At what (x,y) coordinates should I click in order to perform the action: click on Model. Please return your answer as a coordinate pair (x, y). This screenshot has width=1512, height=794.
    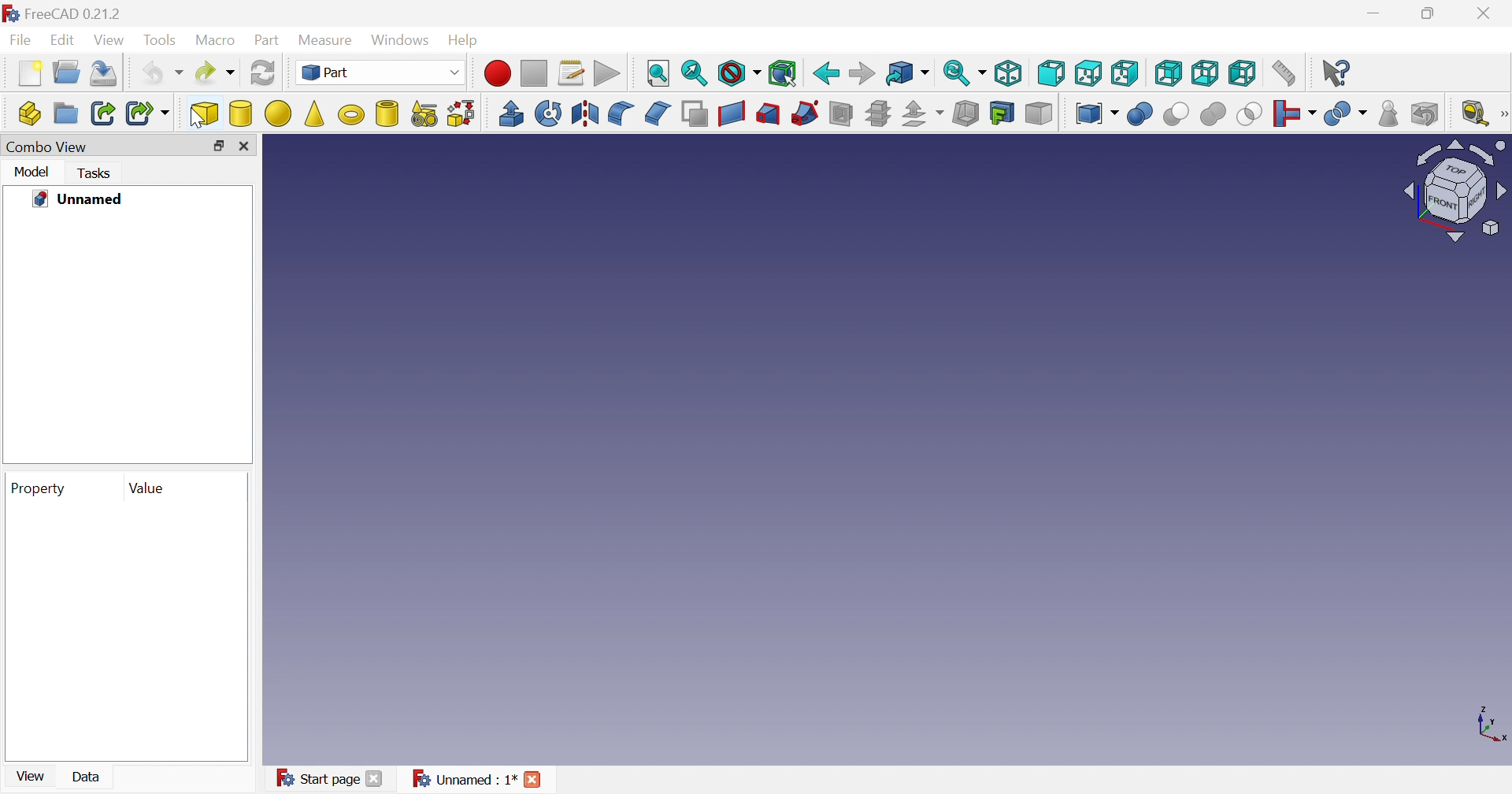
    Looking at the image, I should click on (31, 172).